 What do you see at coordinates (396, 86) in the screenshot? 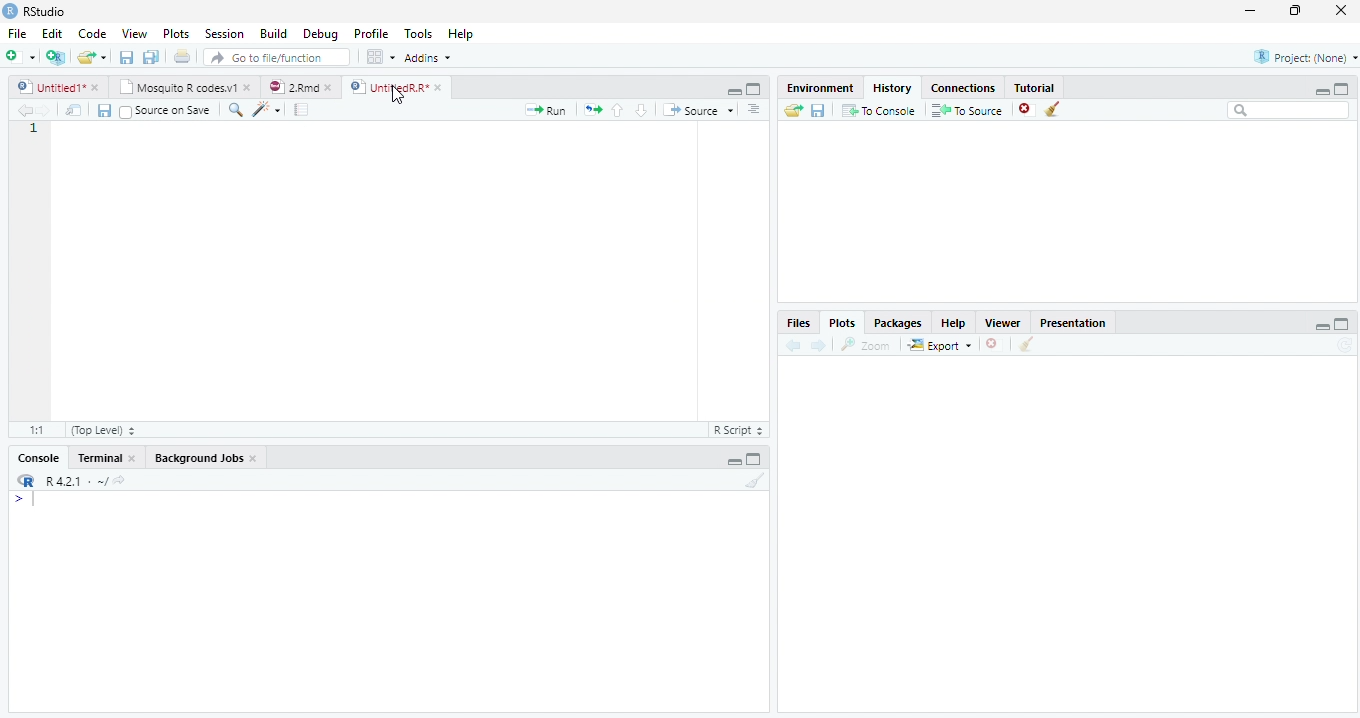
I see `UntitledR.R` at bounding box center [396, 86].